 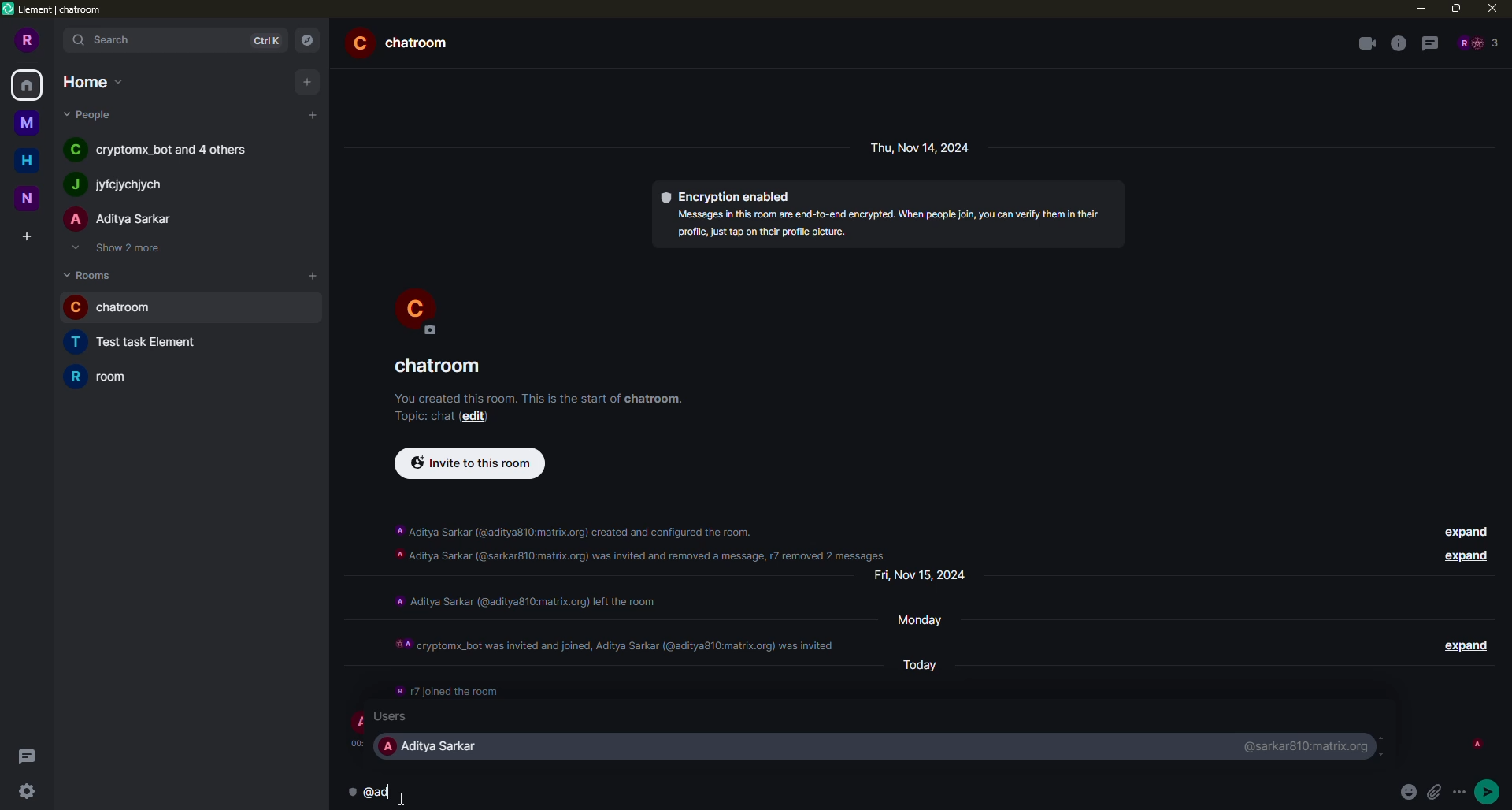 What do you see at coordinates (447, 688) in the screenshot?
I see `info` at bounding box center [447, 688].